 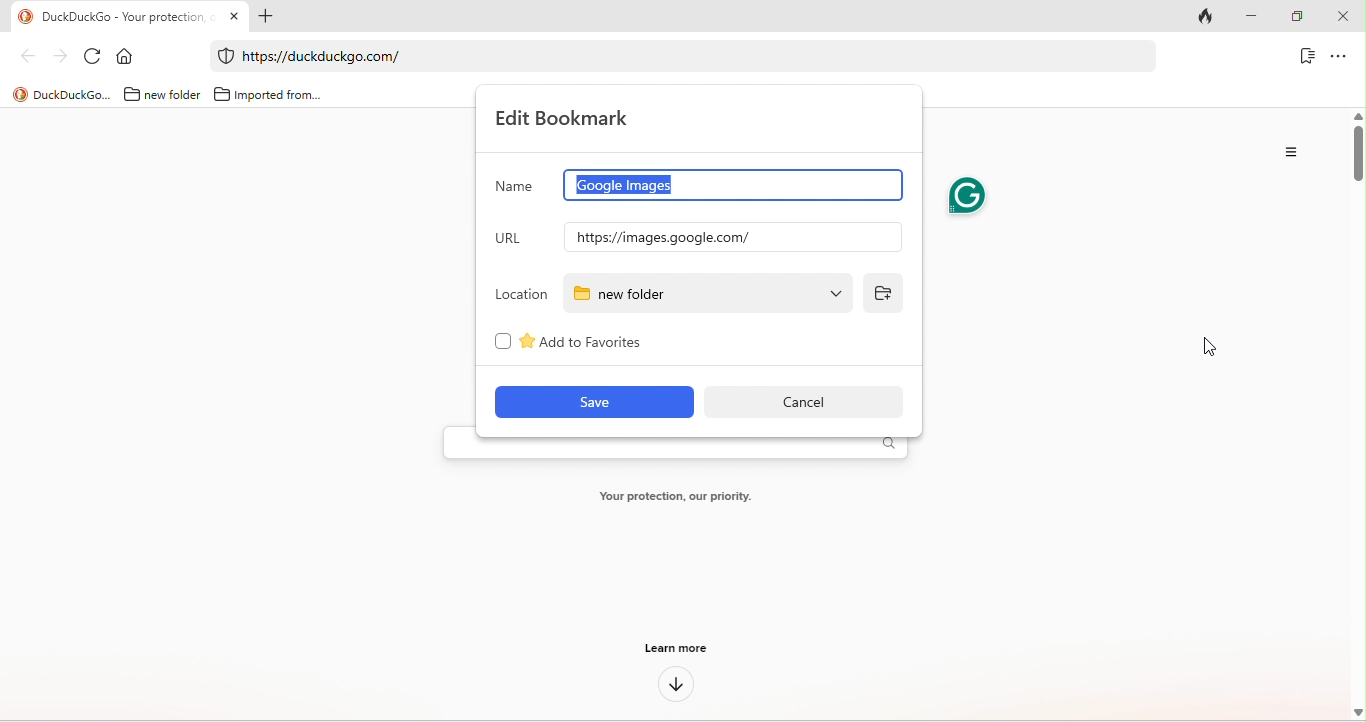 I want to click on cursor, so click(x=1209, y=346).